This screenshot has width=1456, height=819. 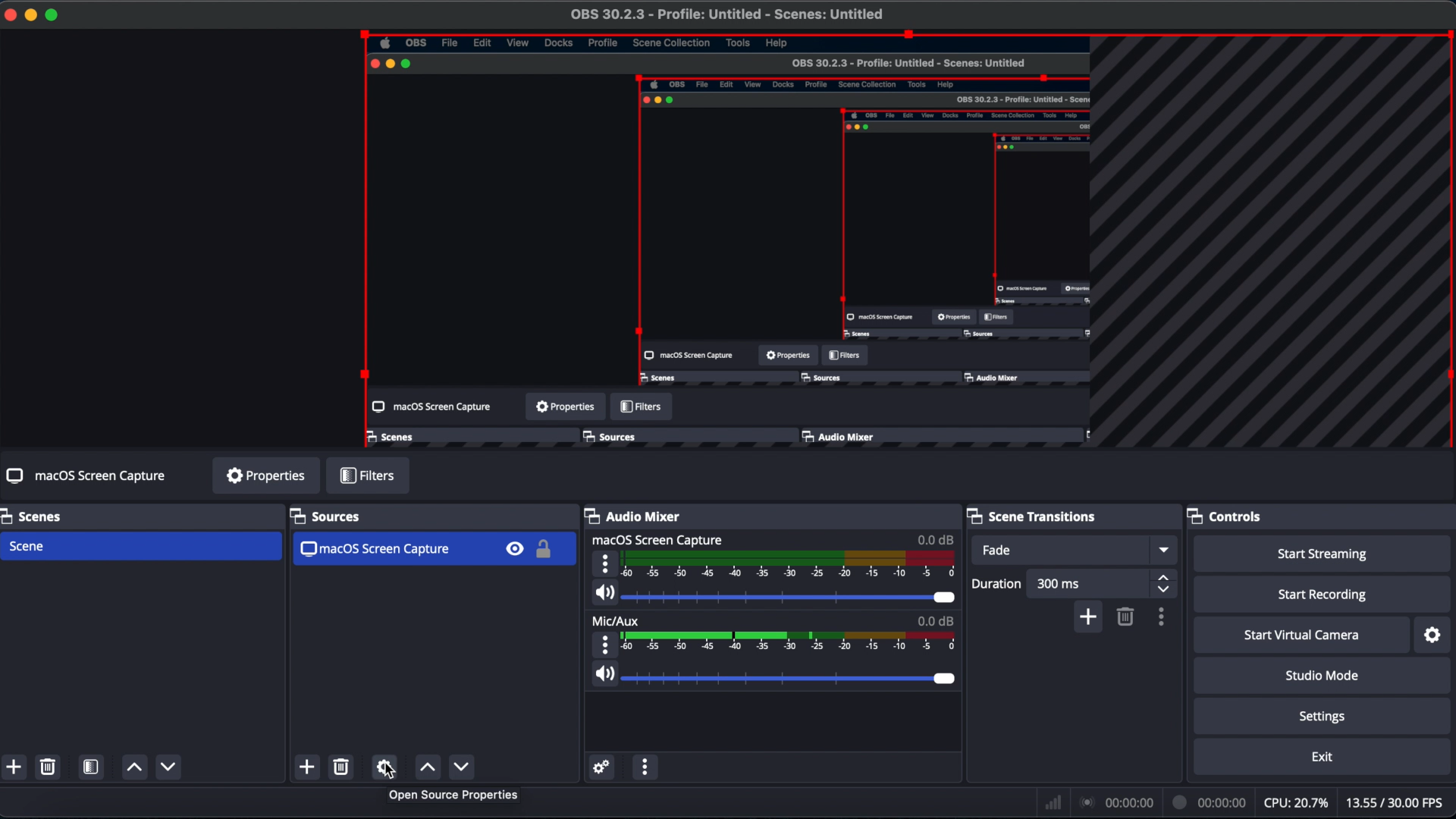 What do you see at coordinates (27, 546) in the screenshot?
I see `scene` at bounding box center [27, 546].